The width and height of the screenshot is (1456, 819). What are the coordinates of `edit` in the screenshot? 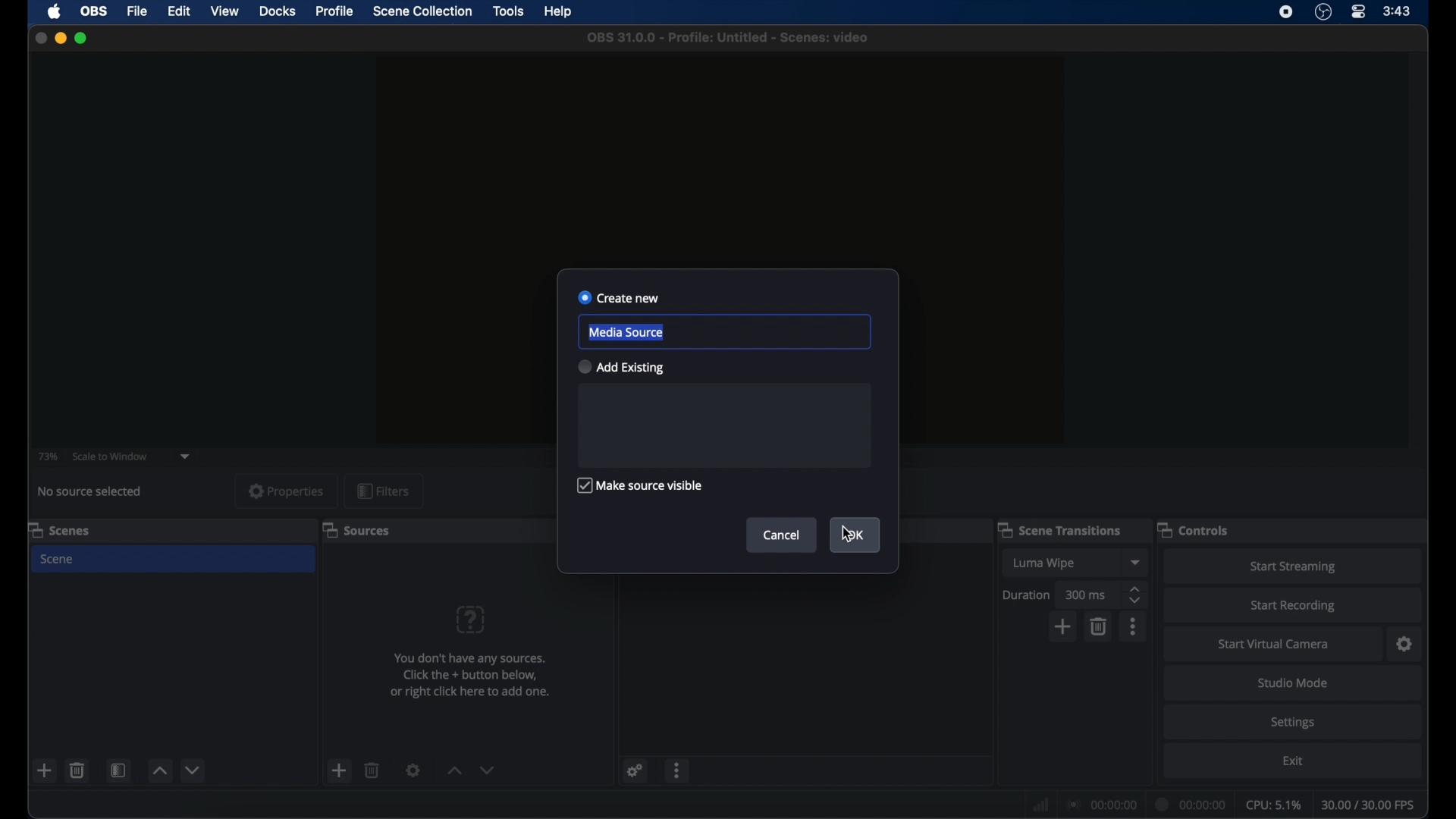 It's located at (178, 11).